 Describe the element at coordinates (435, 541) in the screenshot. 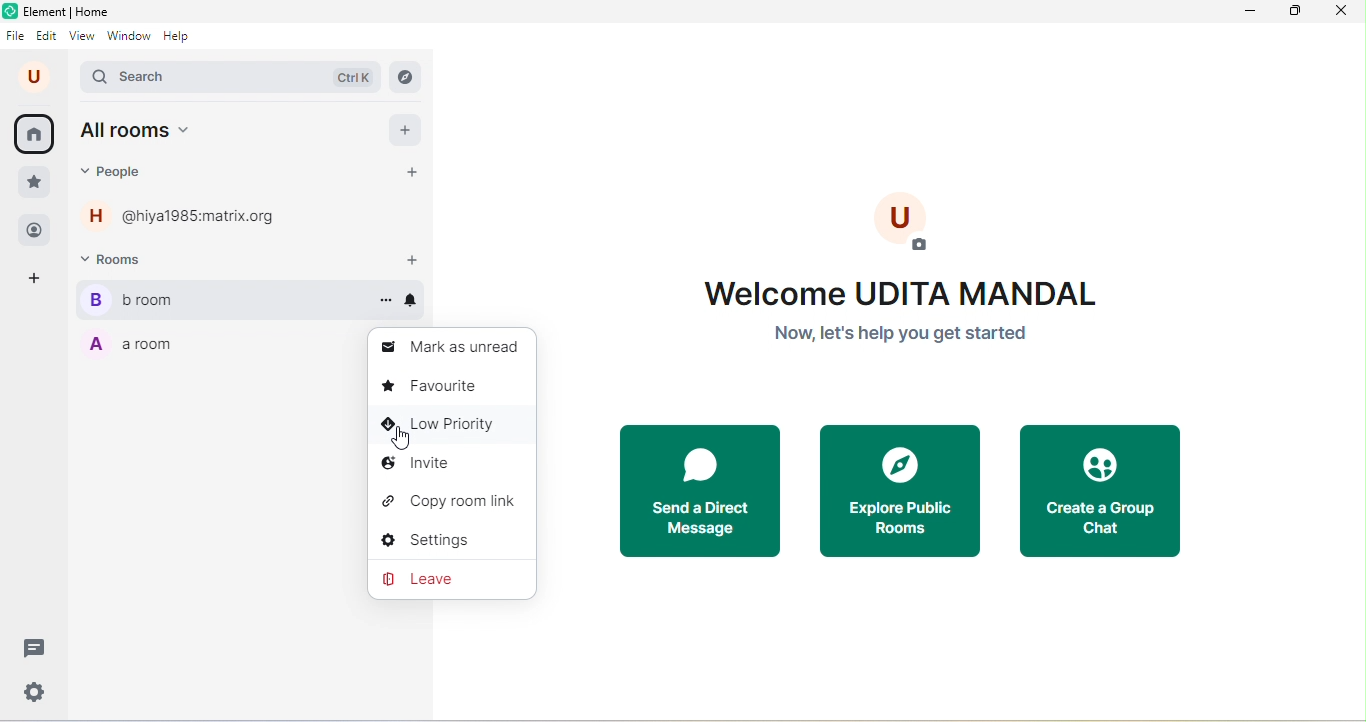

I see `settings` at that location.